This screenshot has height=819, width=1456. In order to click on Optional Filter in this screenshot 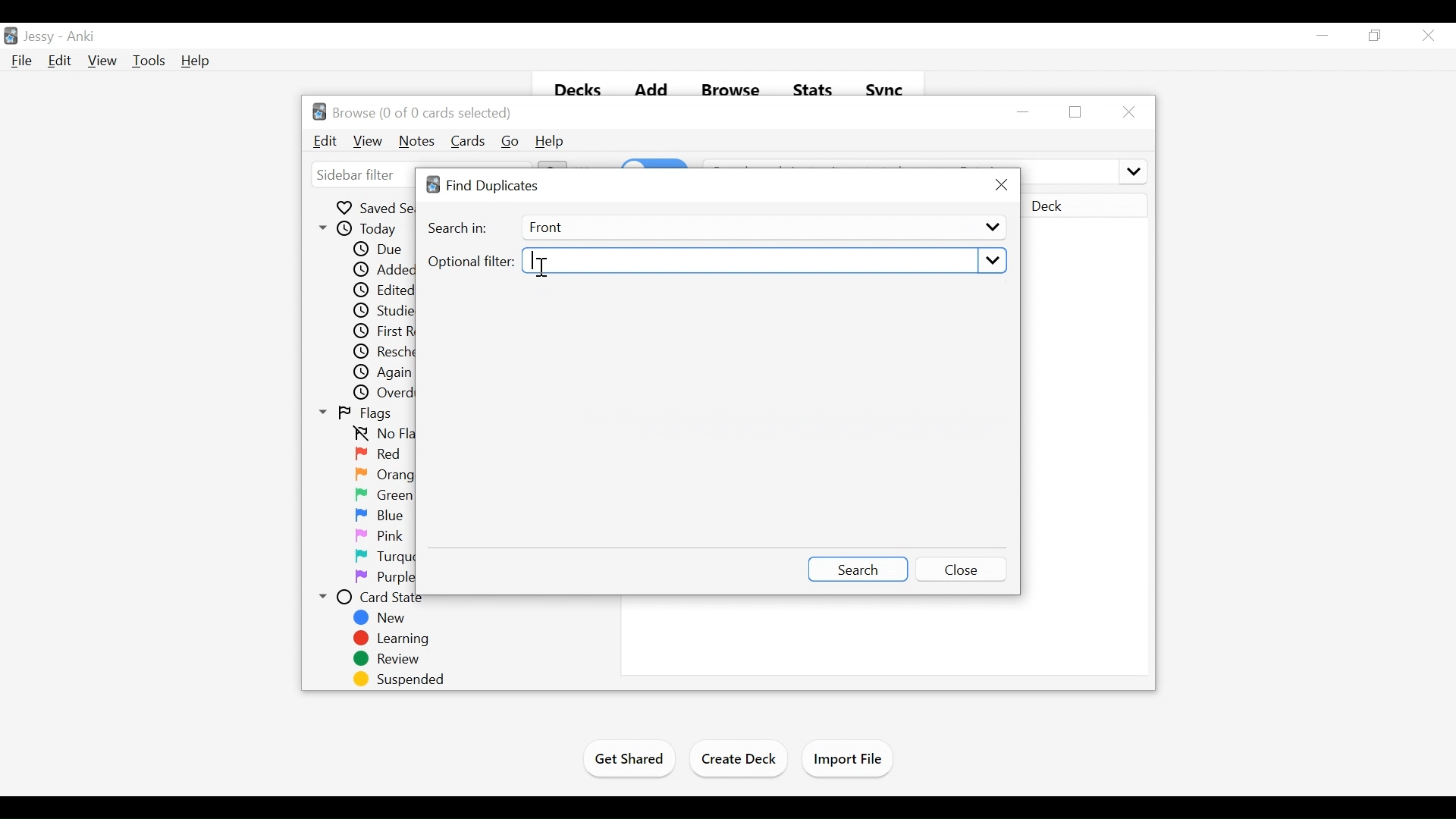, I will do `click(470, 262)`.